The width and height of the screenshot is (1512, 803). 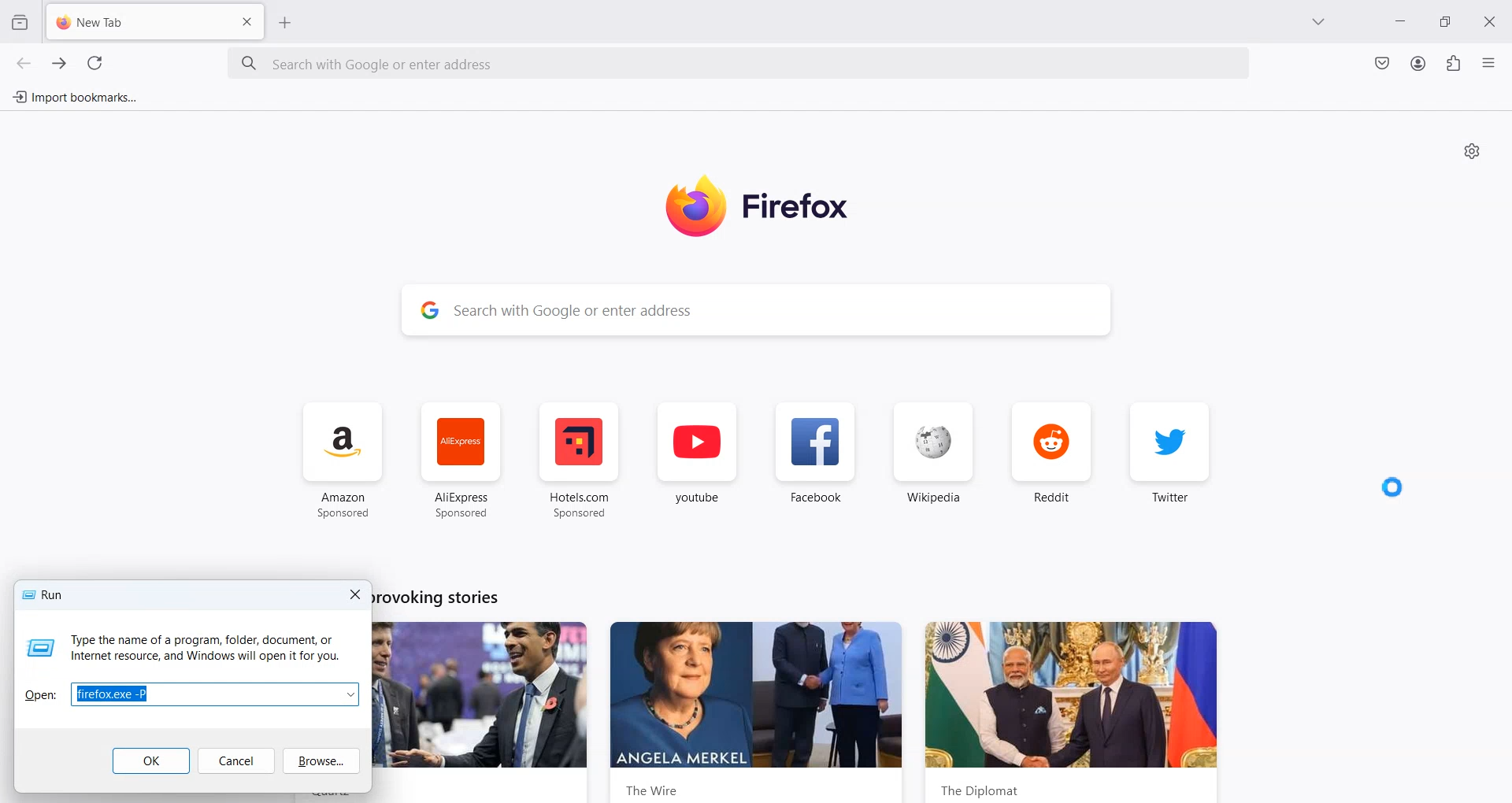 What do you see at coordinates (75, 97) in the screenshot?
I see `Import bookmarks` at bounding box center [75, 97].